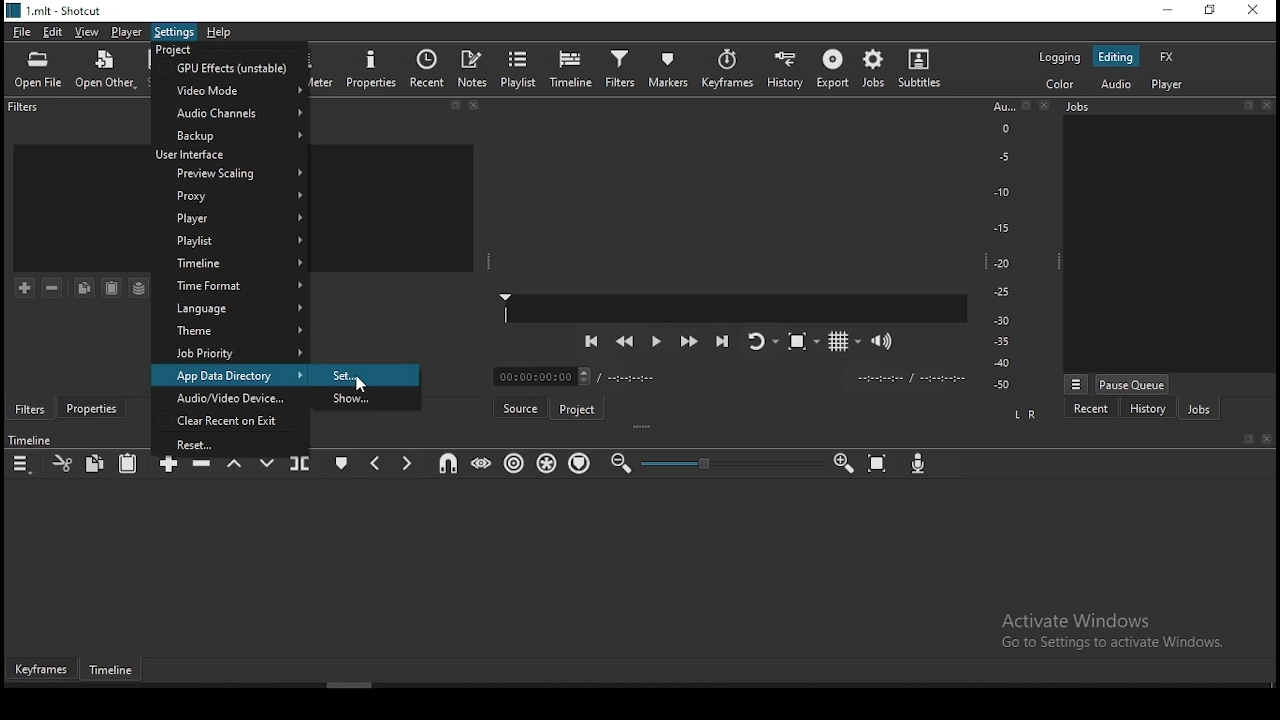 This screenshot has height=720, width=1280. Describe the element at coordinates (579, 464) in the screenshot. I see `ripple markers` at that location.